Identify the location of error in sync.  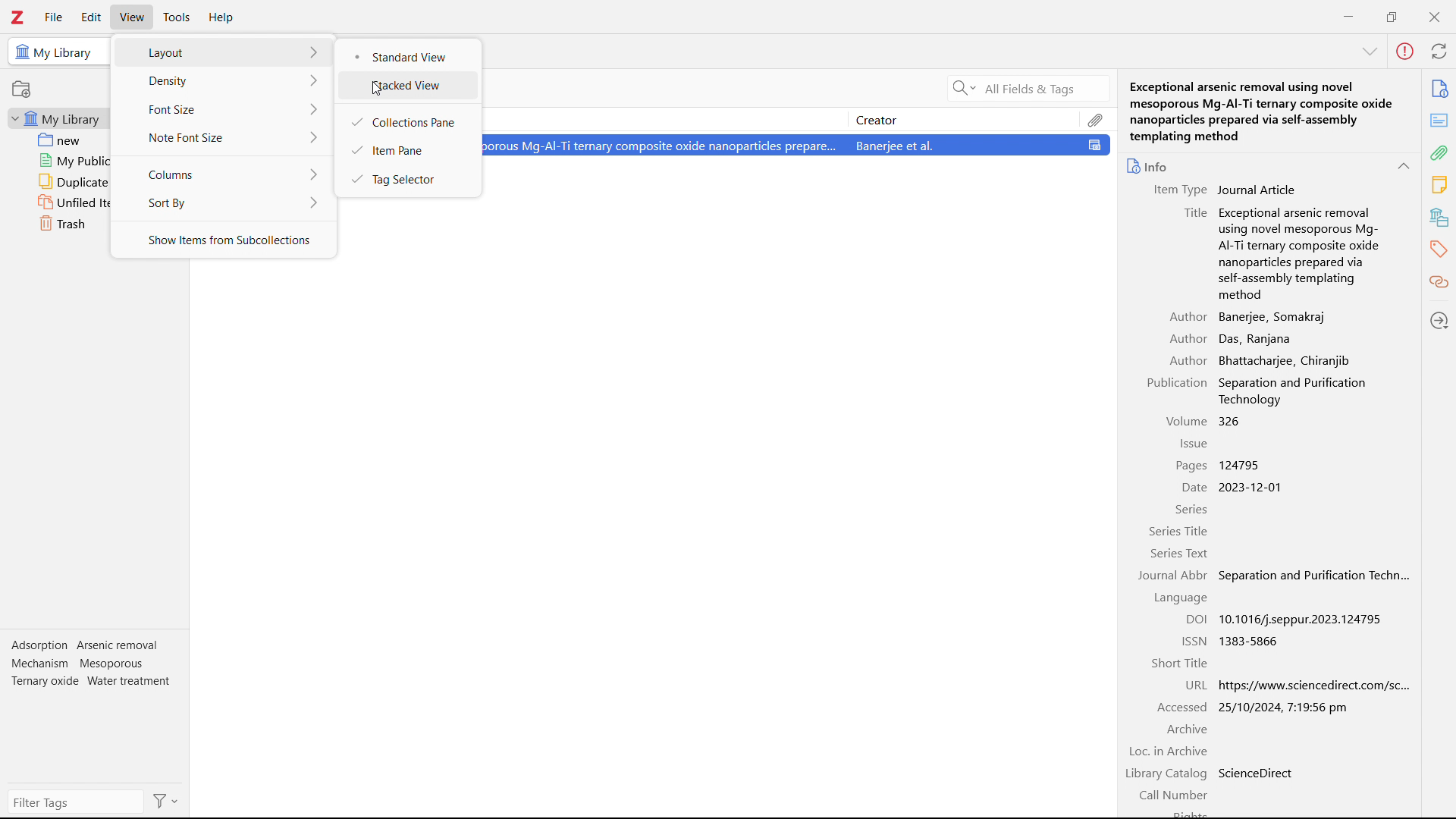
(1405, 52).